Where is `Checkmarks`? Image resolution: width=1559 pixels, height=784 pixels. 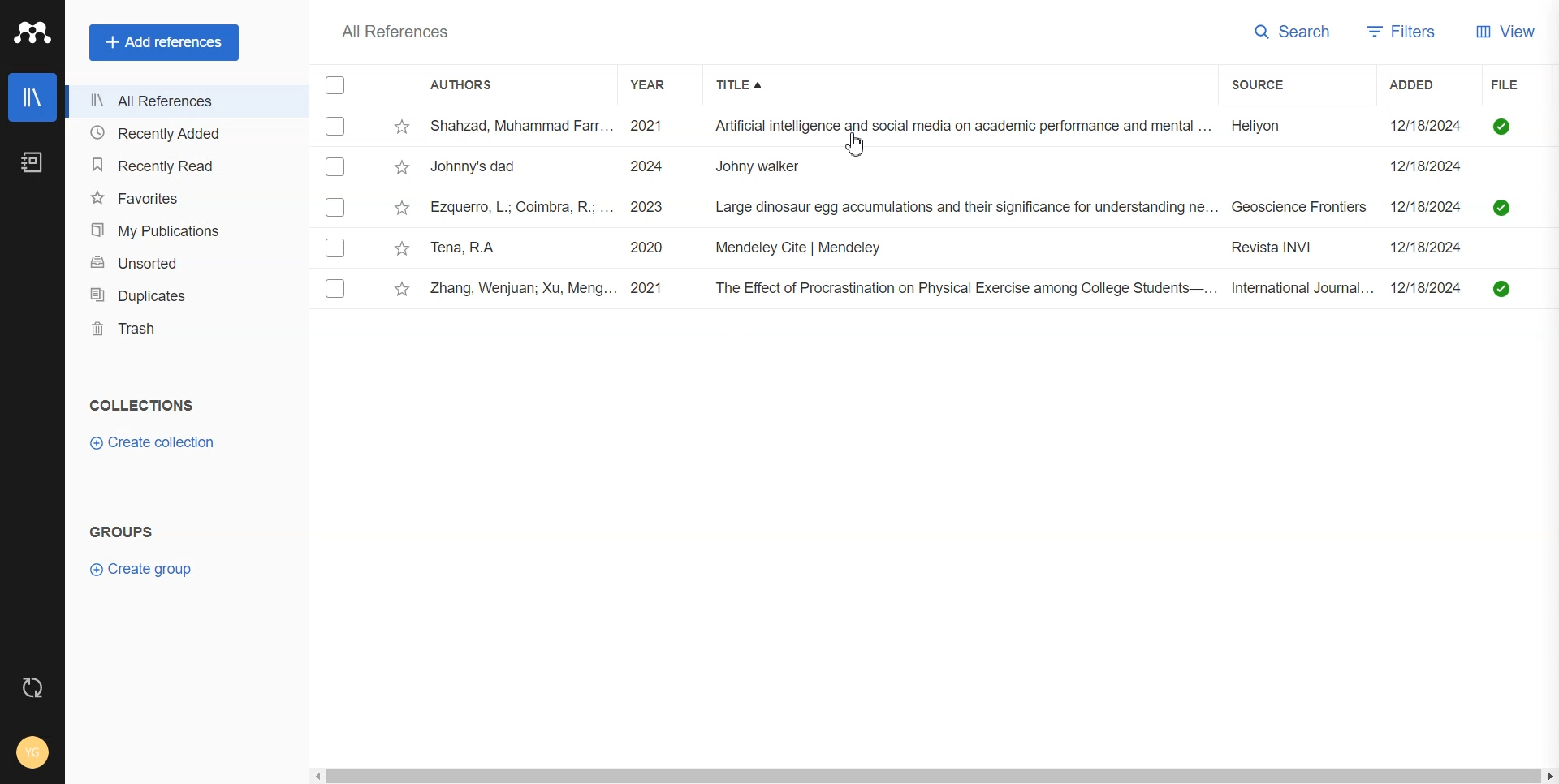
Checkmarks is located at coordinates (336, 288).